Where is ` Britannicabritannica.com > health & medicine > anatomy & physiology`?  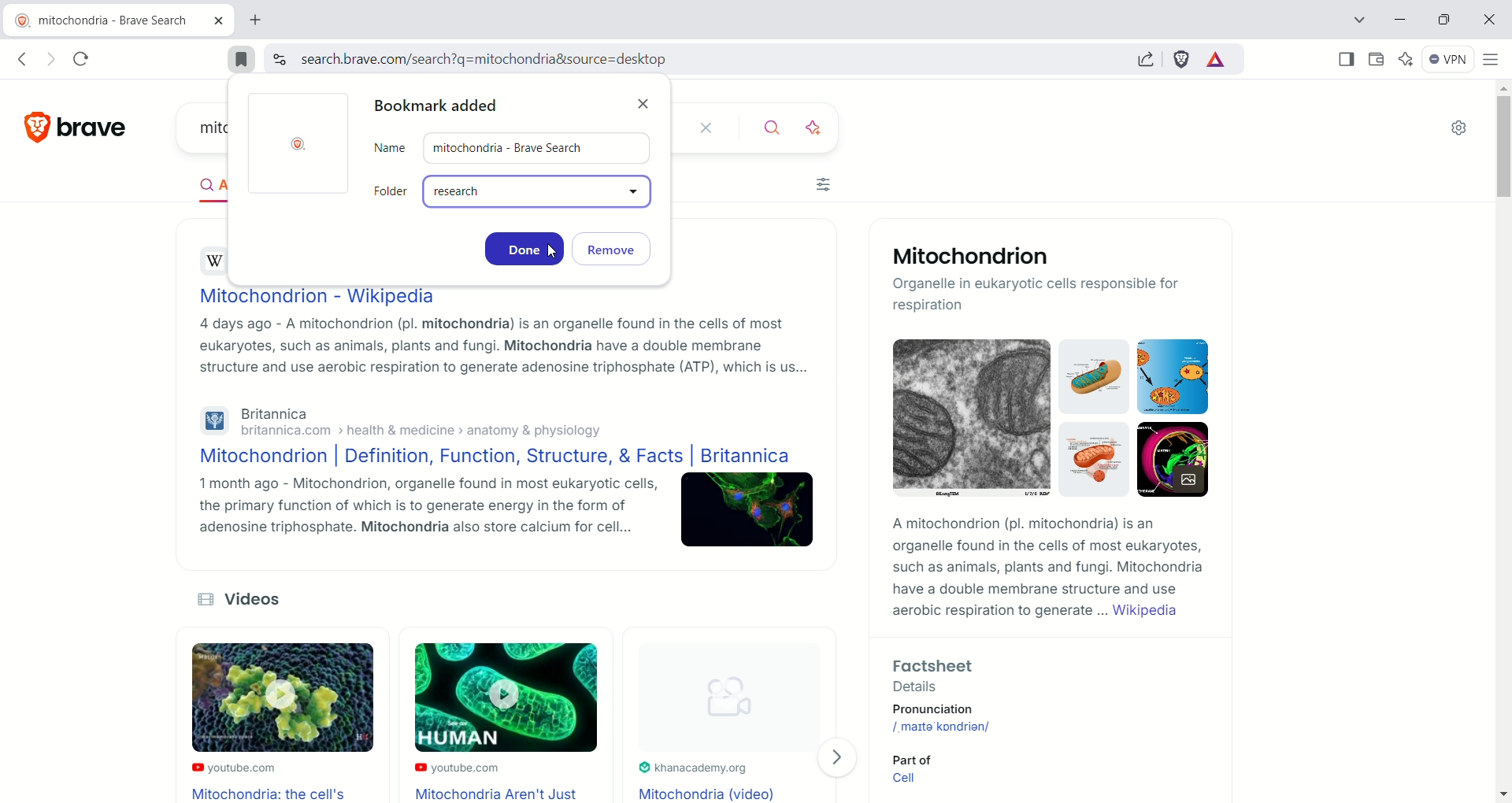
 Britannicabritannica.com > health & medicine > anatomy & physiology is located at coordinates (400, 421).